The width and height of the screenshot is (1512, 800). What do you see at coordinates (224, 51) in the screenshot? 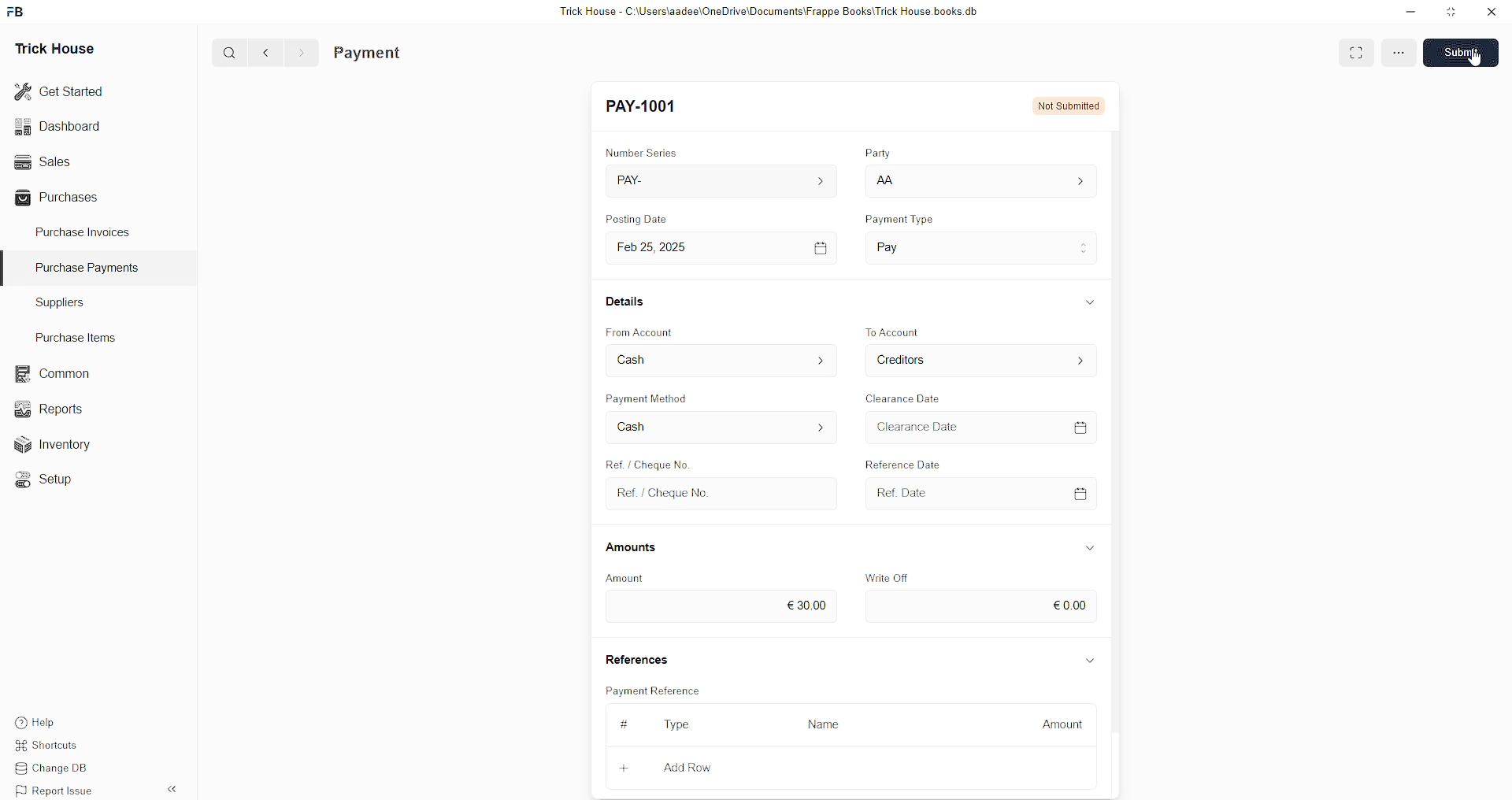
I see `Q` at bounding box center [224, 51].